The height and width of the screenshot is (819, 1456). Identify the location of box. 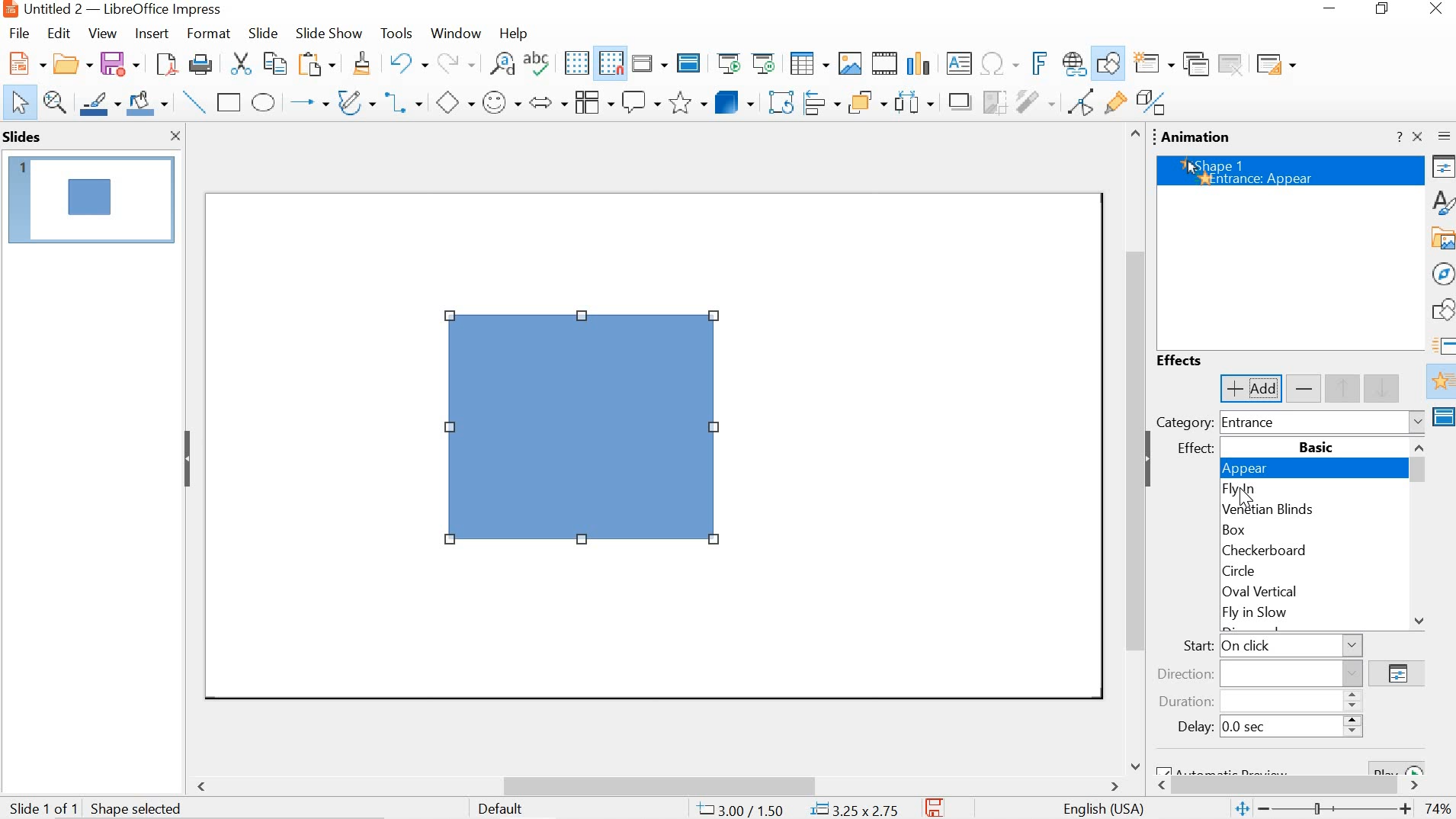
(1303, 531).